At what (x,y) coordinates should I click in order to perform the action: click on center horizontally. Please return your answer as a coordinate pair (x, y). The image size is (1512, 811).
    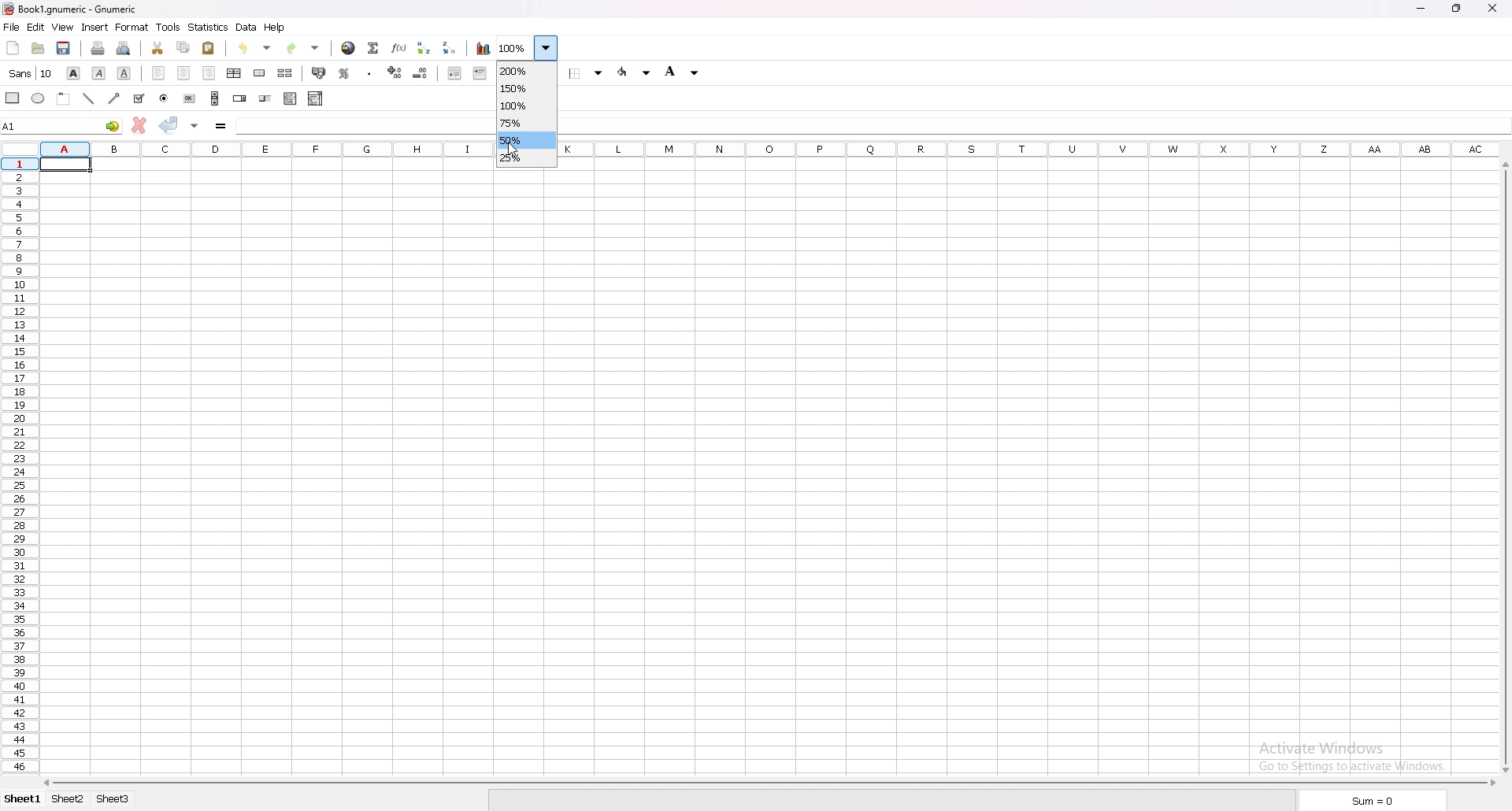
    Looking at the image, I should click on (234, 73).